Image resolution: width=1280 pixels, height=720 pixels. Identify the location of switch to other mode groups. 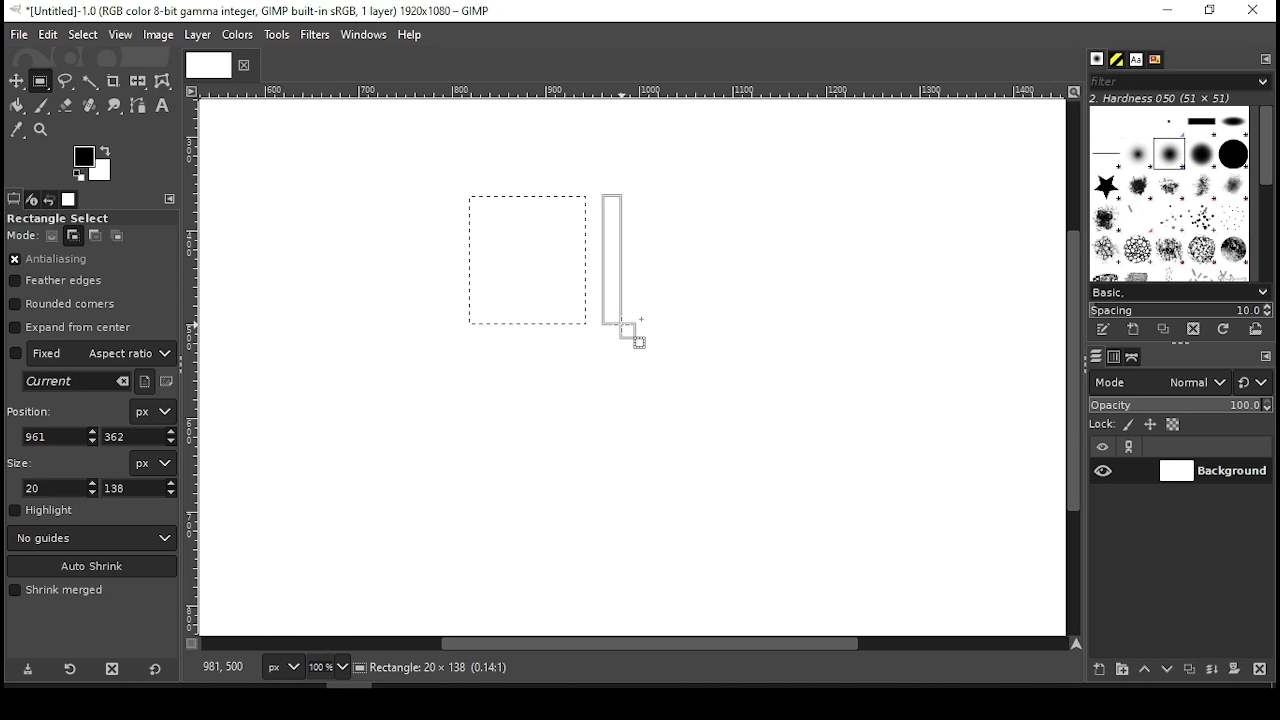
(1252, 384).